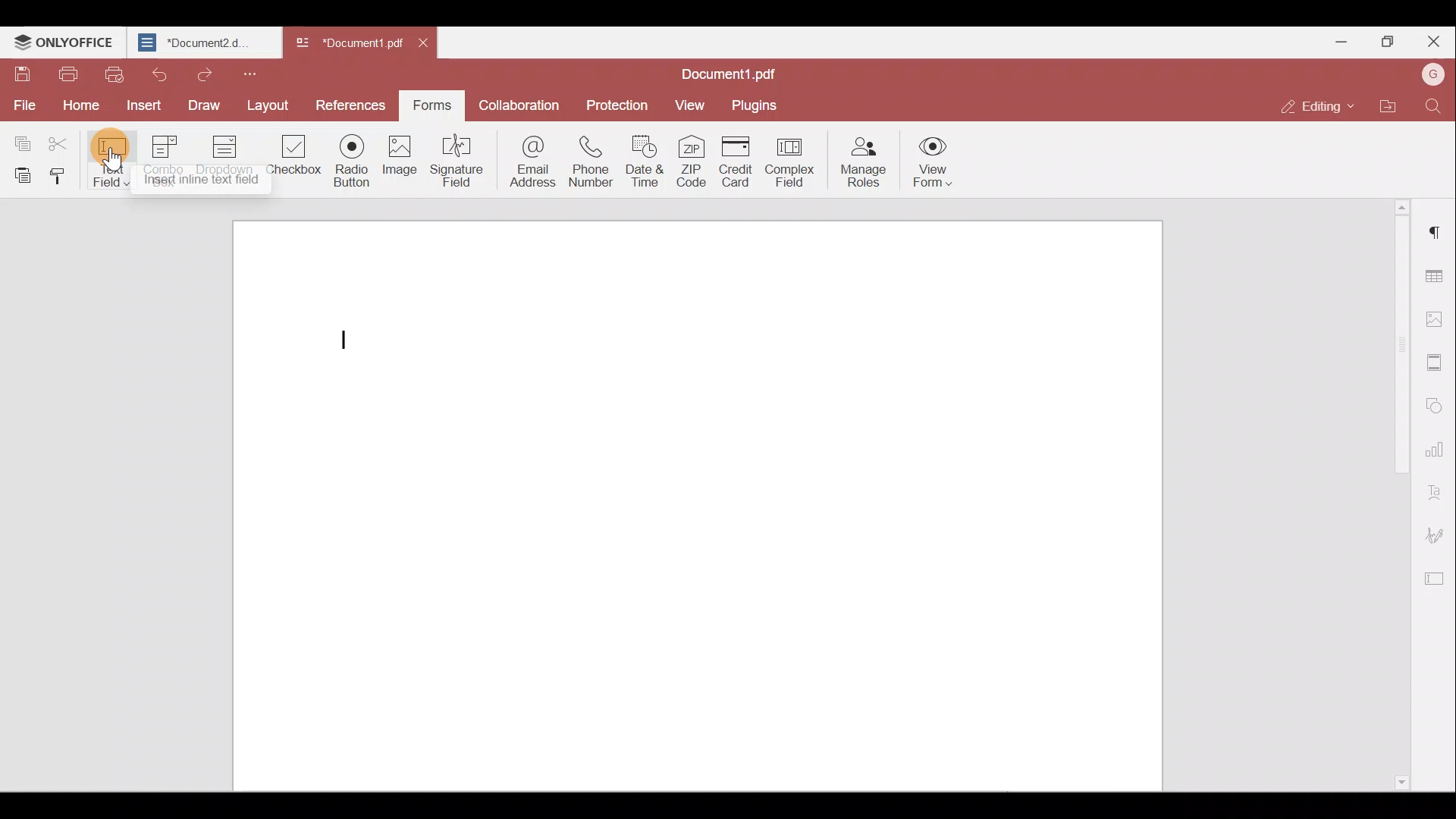 The width and height of the screenshot is (1456, 819). What do you see at coordinates (526, 162) in the screenshot?
I see `Email address` at bounding box center [526, 162].